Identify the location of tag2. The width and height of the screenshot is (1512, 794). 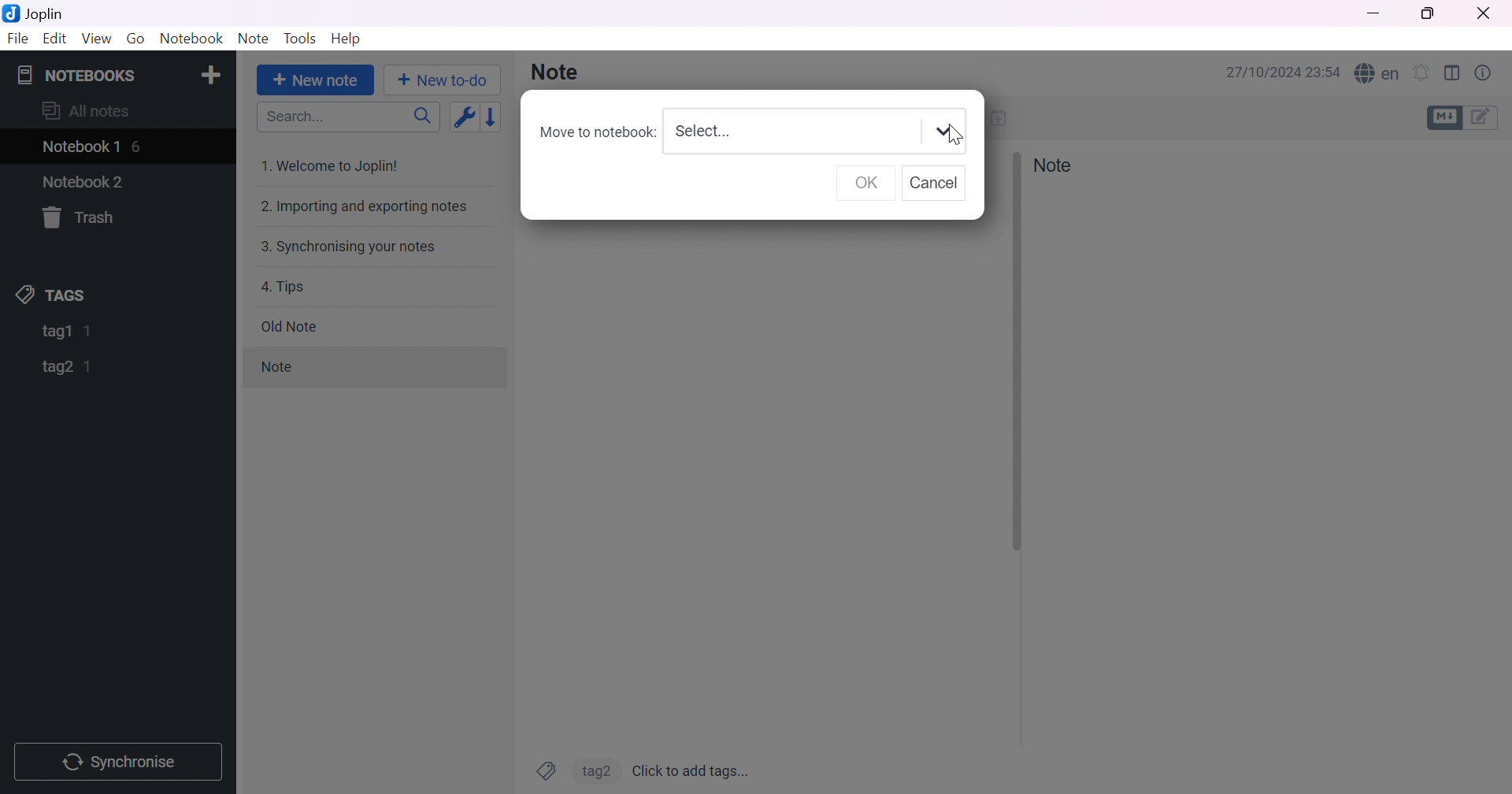
(595, 770).